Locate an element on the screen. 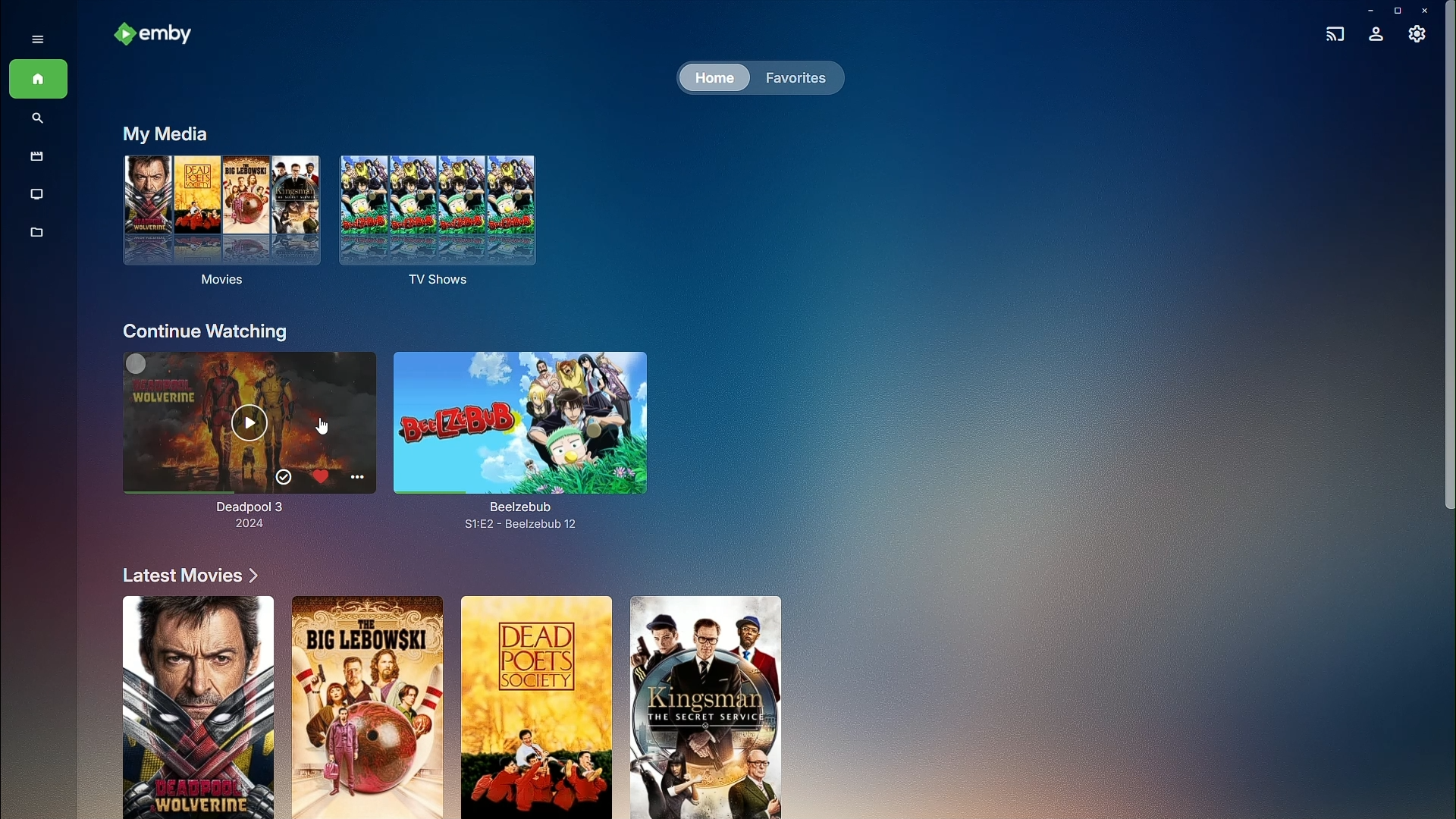  TV Shows is located at coordinates (453, 227).